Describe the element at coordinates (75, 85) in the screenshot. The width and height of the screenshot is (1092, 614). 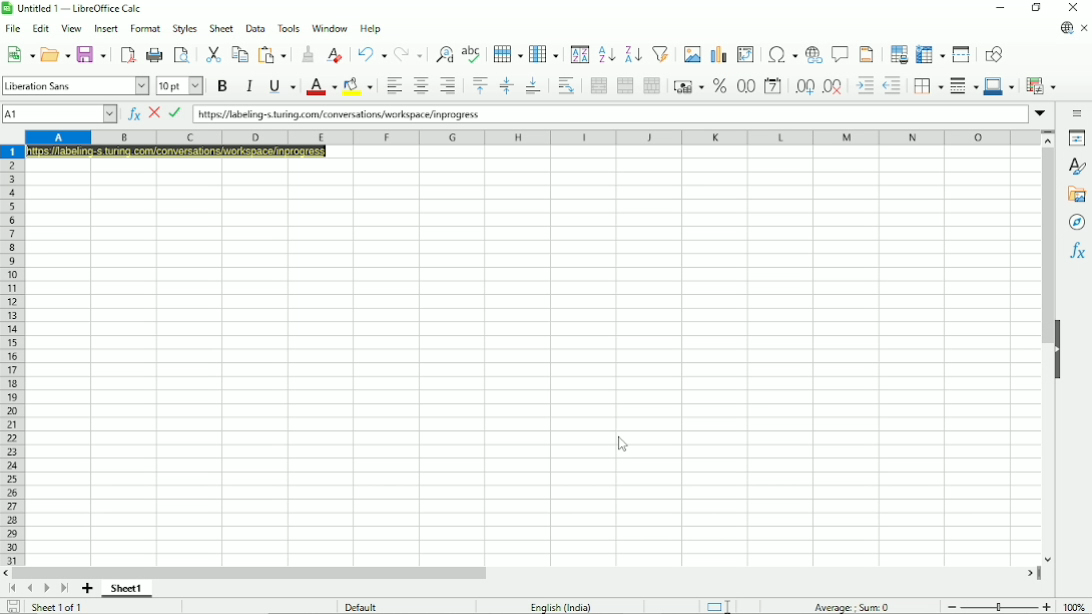
I see `Font style` at that location.